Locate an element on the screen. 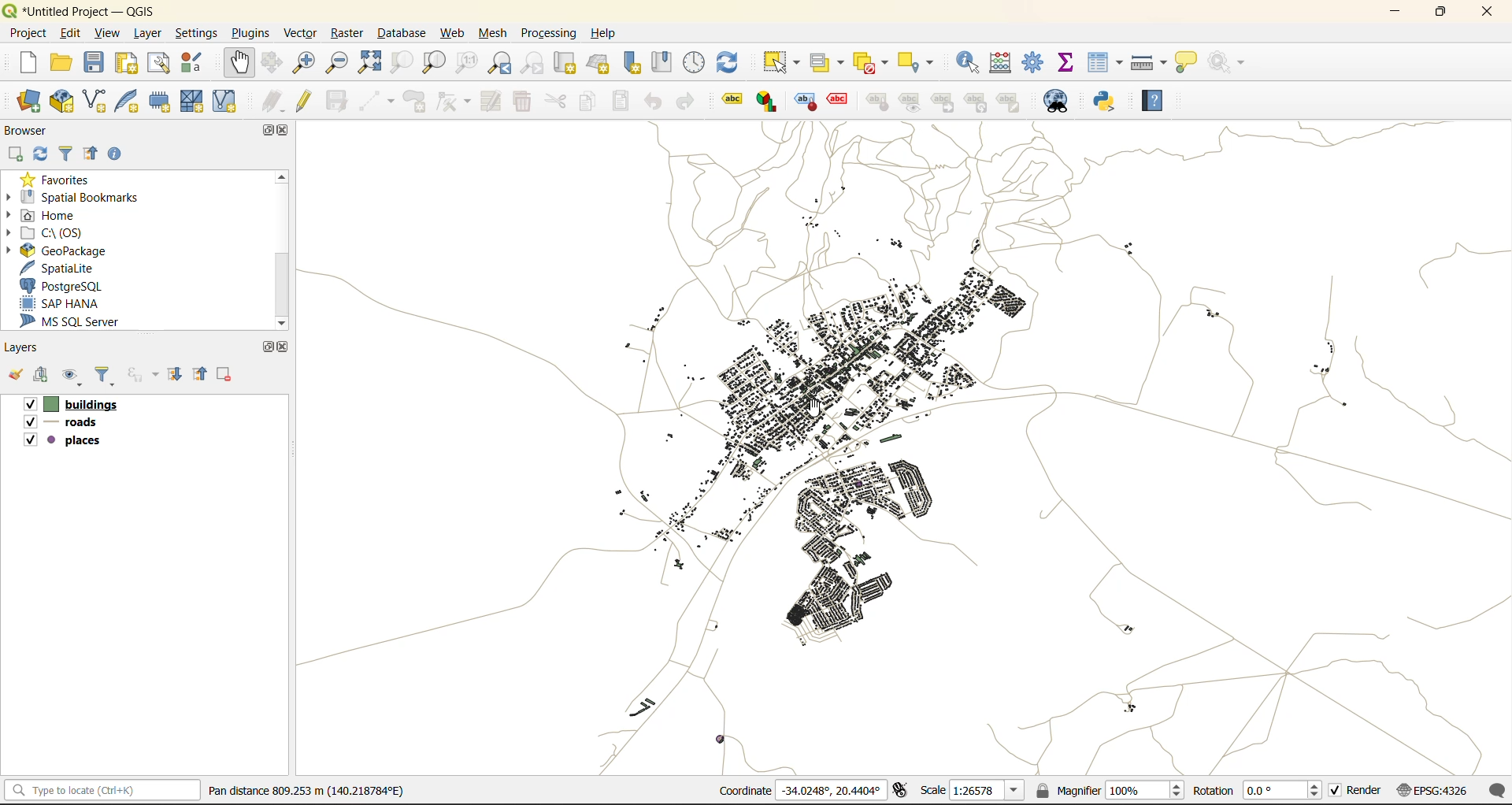 Image resolution: width=1512 pixels, height=805 pixels. open is located at coordinates (16, 375).